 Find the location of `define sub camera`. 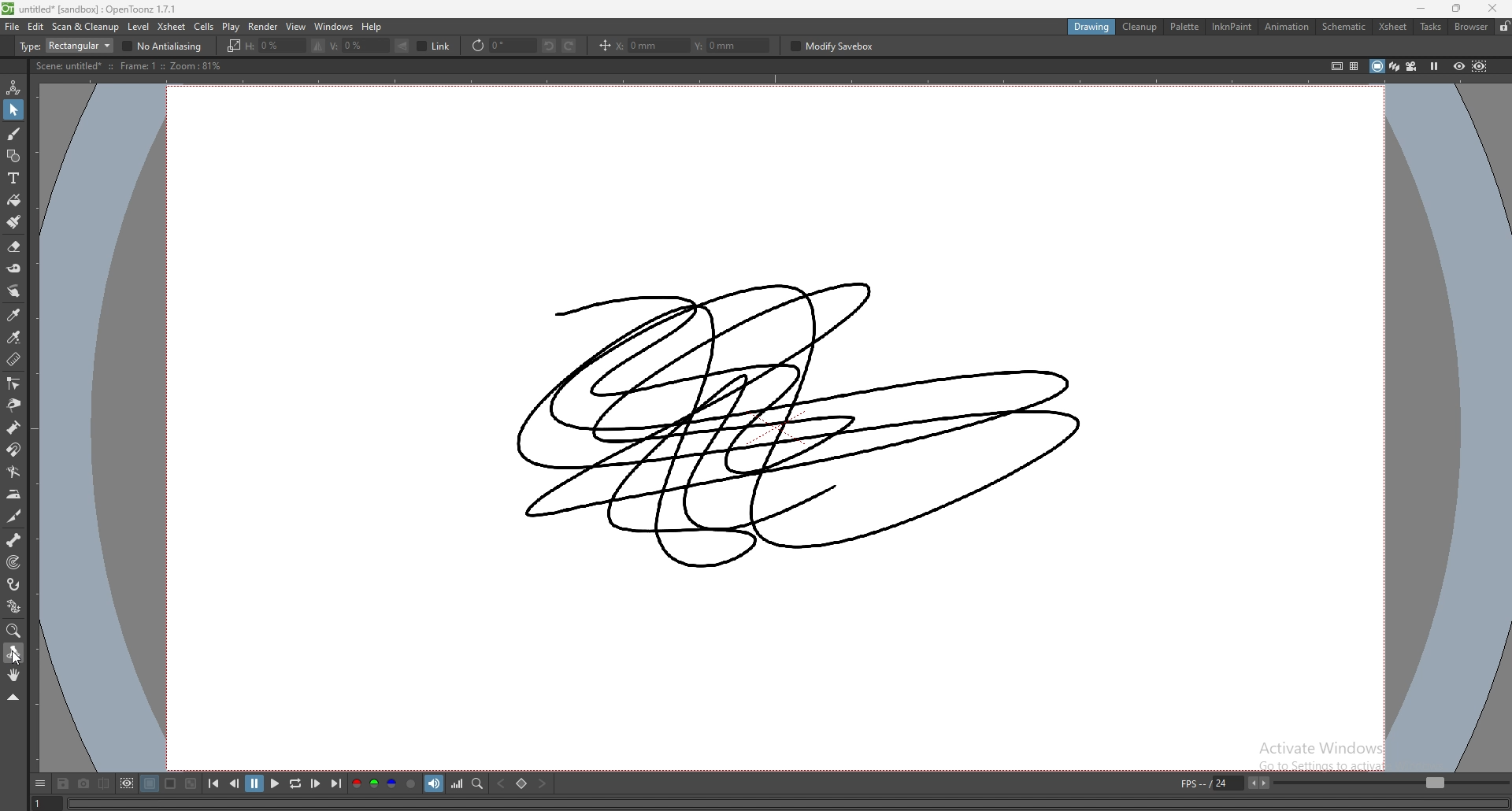

define sub camera is located at coordinates (128, 783).